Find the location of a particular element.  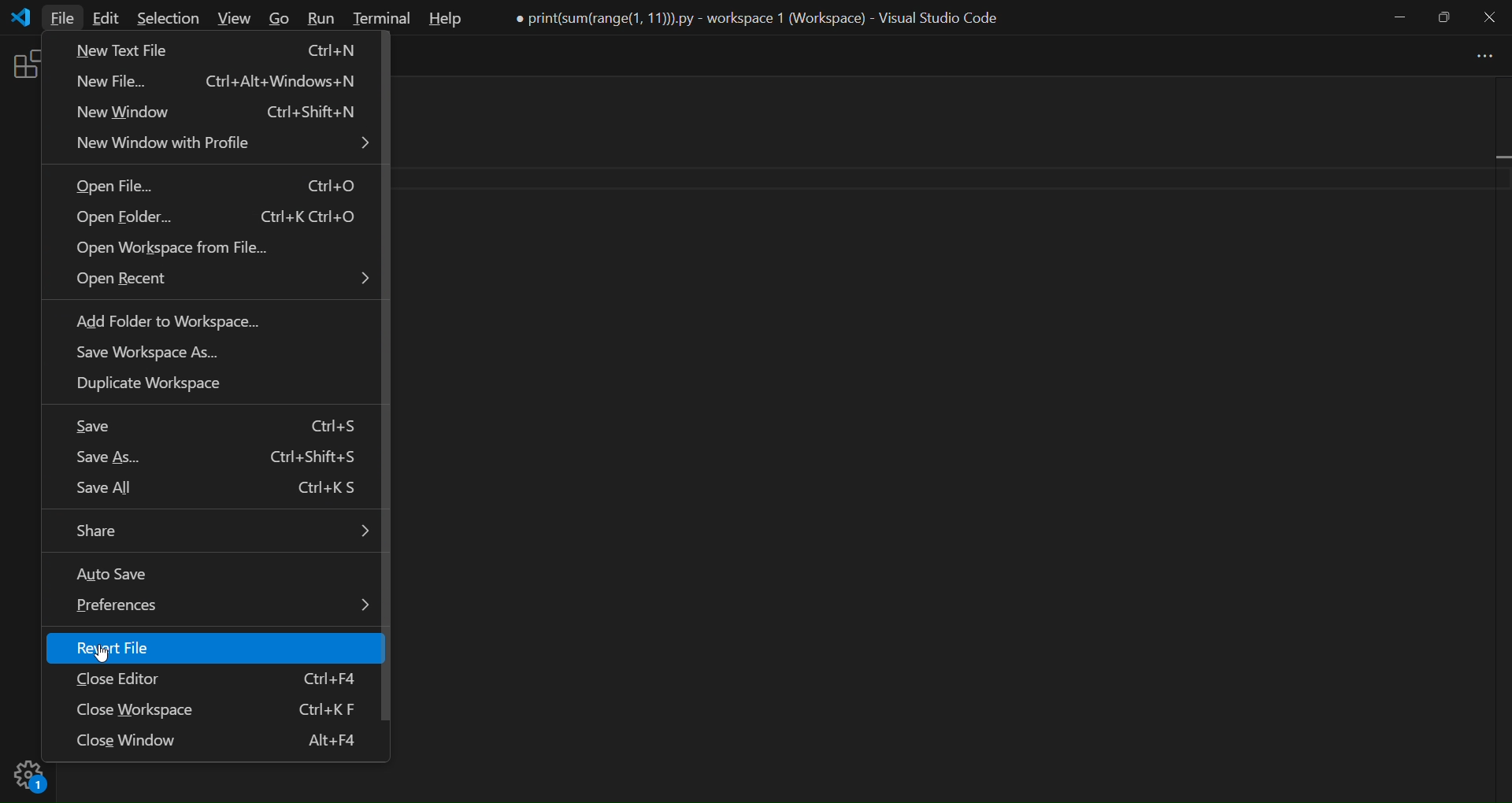

save workspace as is located at coordinates (152, 354).